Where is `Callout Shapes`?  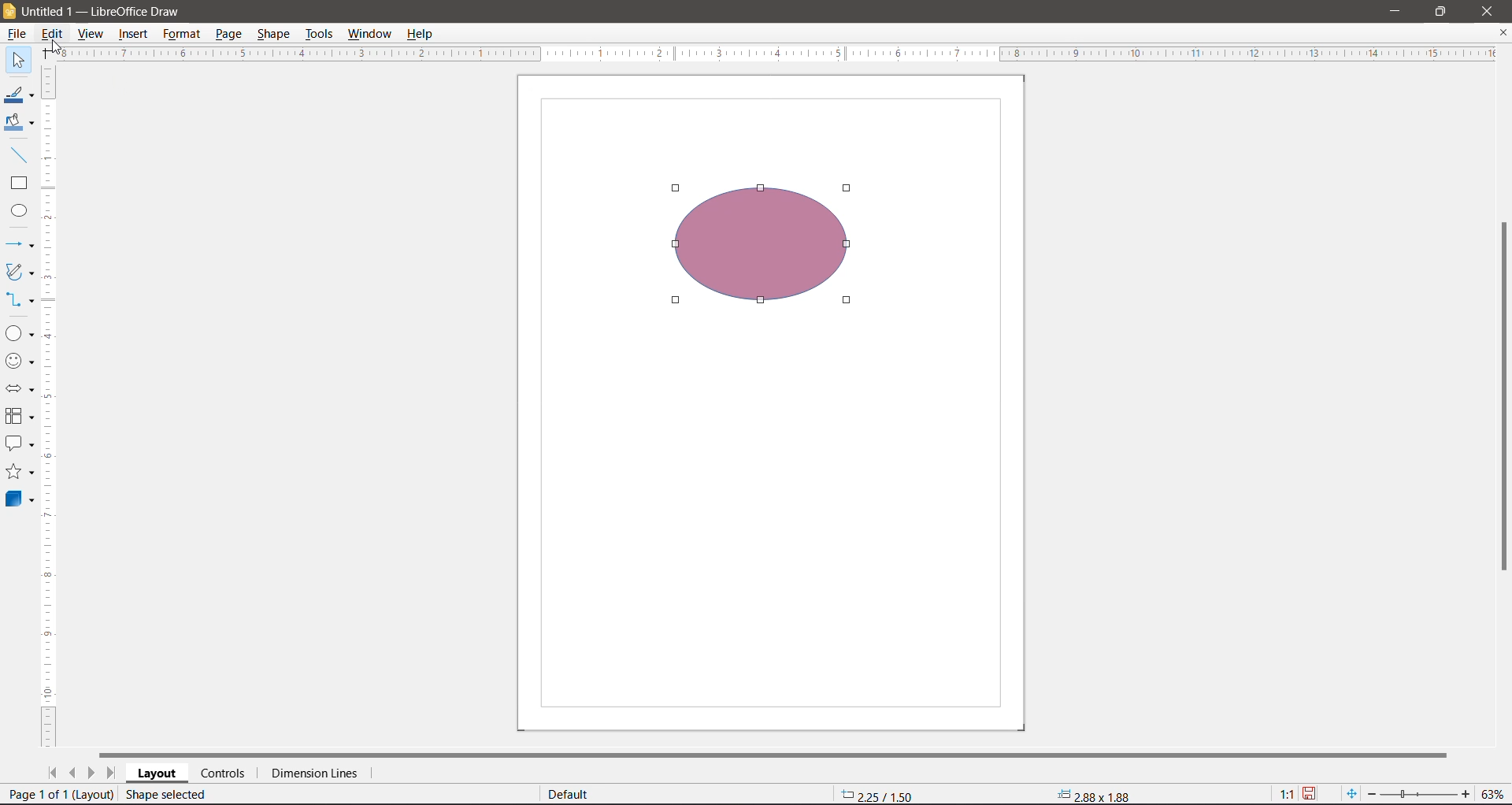
Callout Shapes is located at coordinates (20, 443).